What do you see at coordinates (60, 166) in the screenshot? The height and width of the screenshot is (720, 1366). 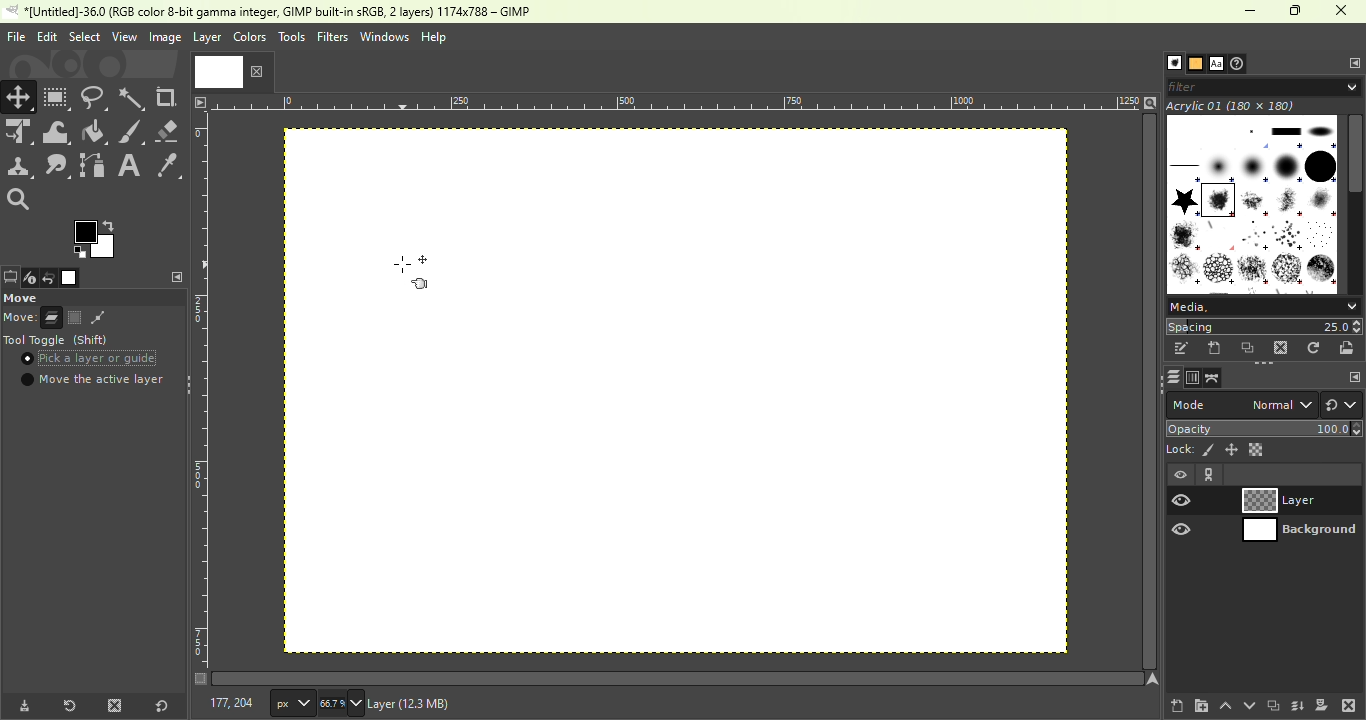 I see `Smudge tool` at bounding box center [60, 166].